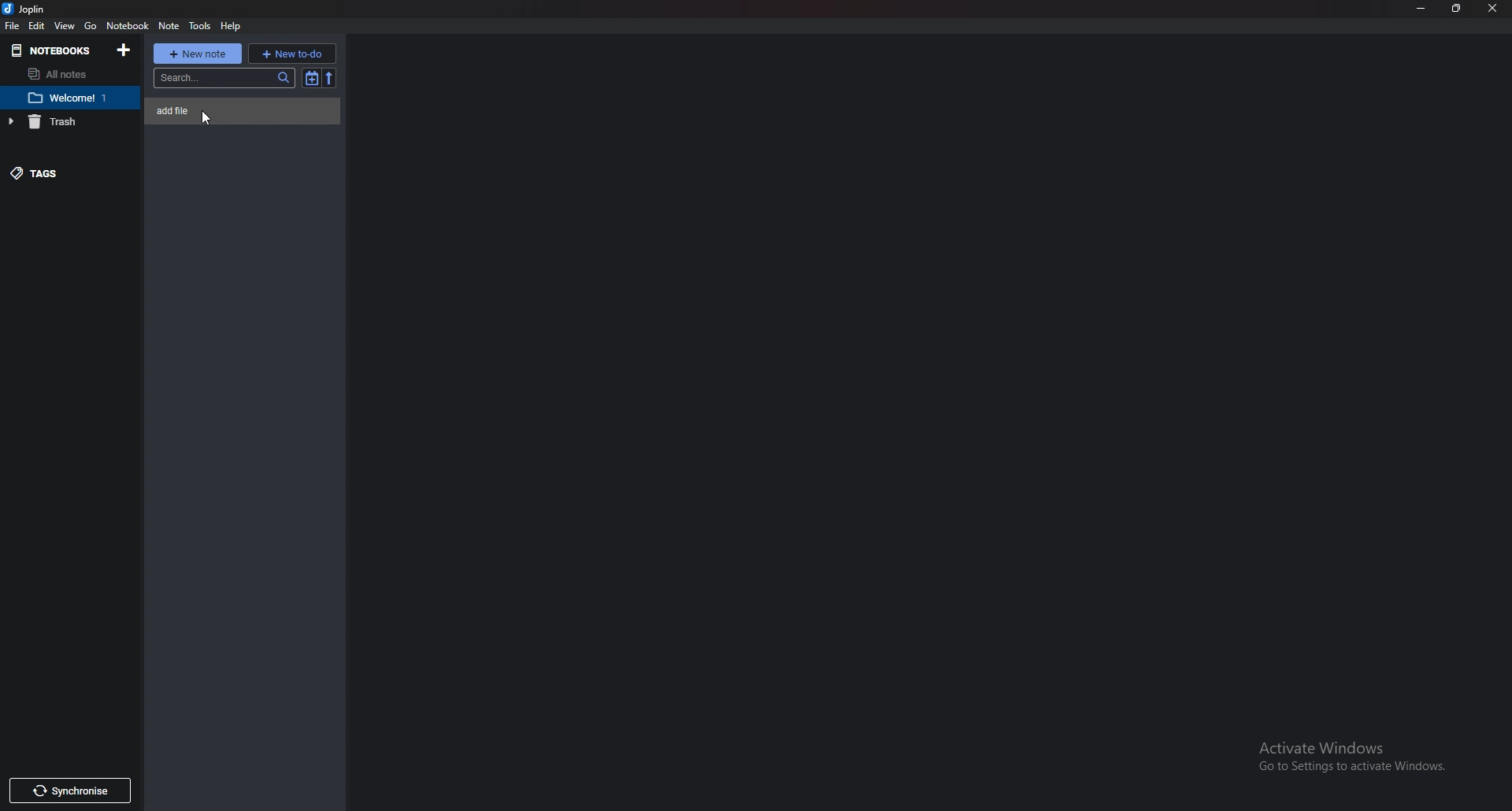 The height and width of the screenshot is (811, 1512). Describe the element at coordinates (66, 25) in the screenshot. I see `View` at that location.